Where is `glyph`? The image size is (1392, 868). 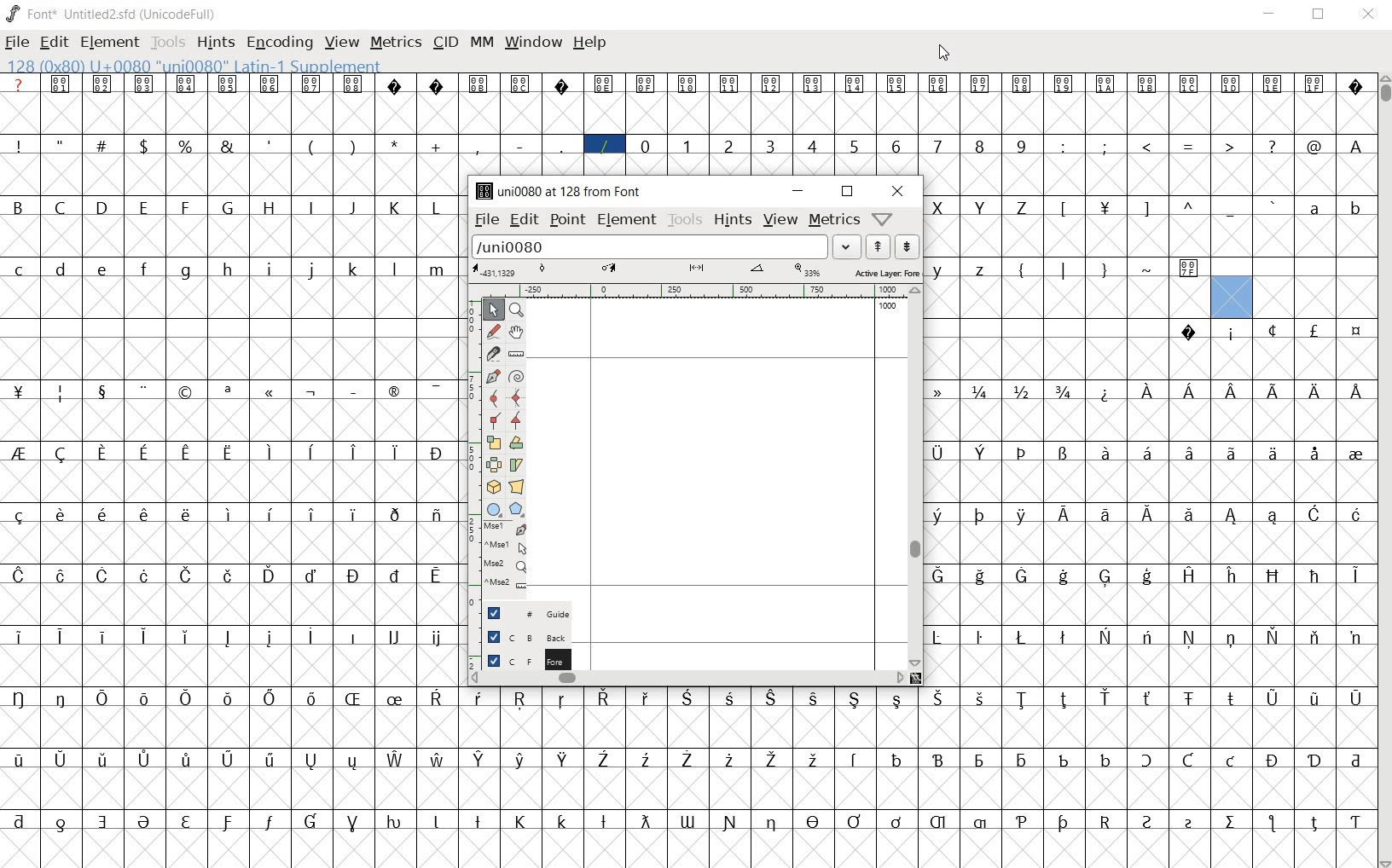 glyph is located at coordinates (271, 453).